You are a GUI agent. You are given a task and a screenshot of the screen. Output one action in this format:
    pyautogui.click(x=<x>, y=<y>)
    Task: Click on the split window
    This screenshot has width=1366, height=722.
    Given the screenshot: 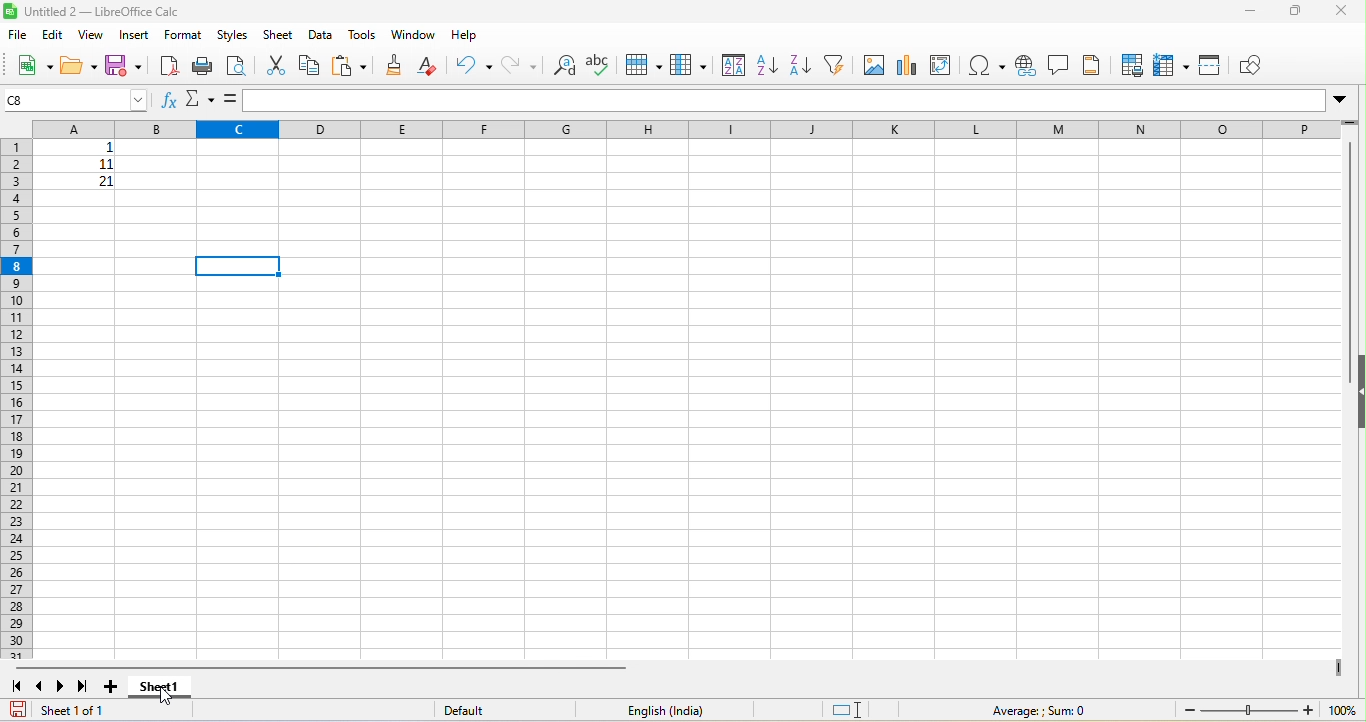 What is the action you would take?
    pyautogui.click(x=1211, y=67)
    